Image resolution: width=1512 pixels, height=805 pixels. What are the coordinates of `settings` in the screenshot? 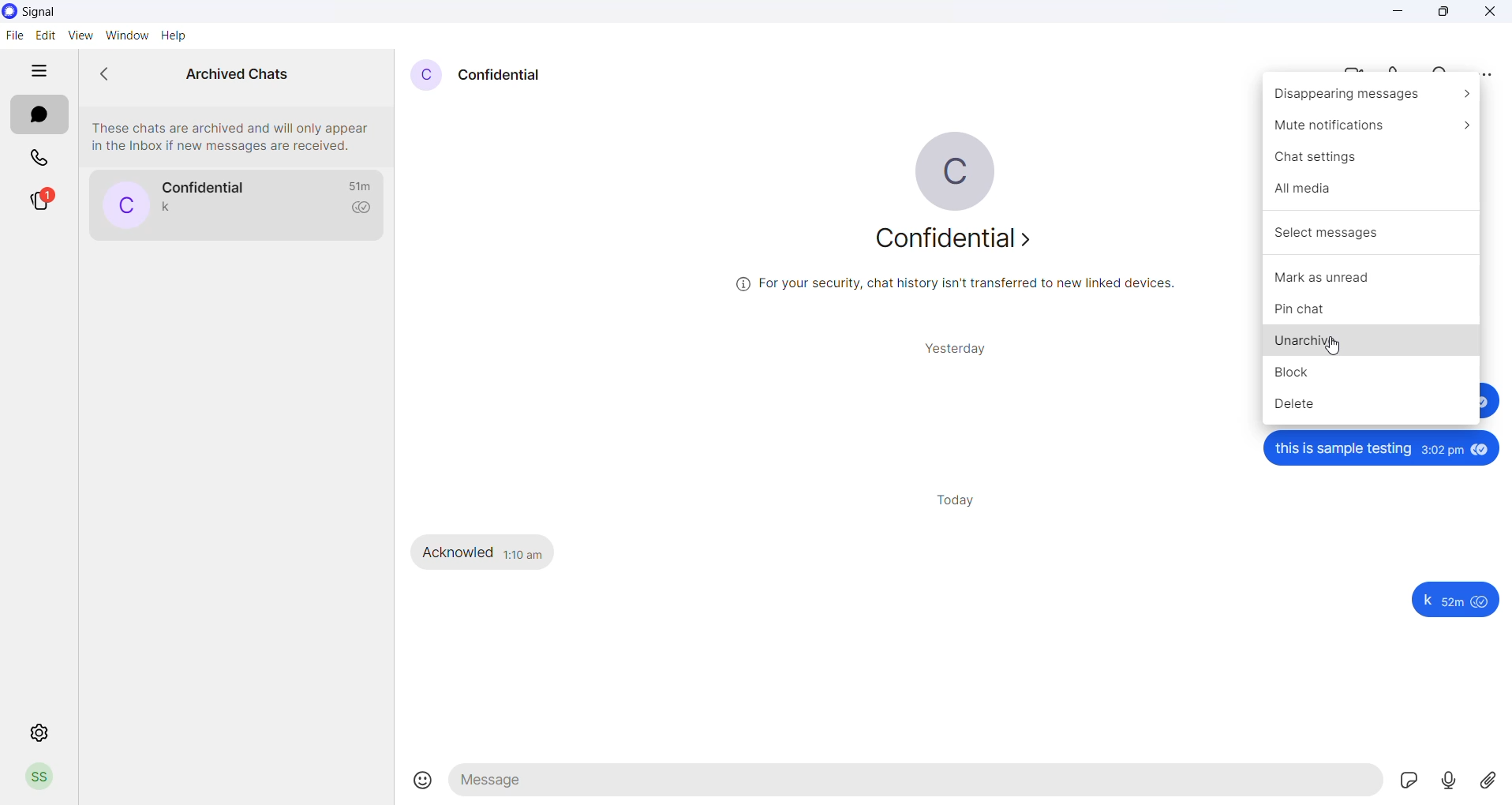 It's located at (41, 731).